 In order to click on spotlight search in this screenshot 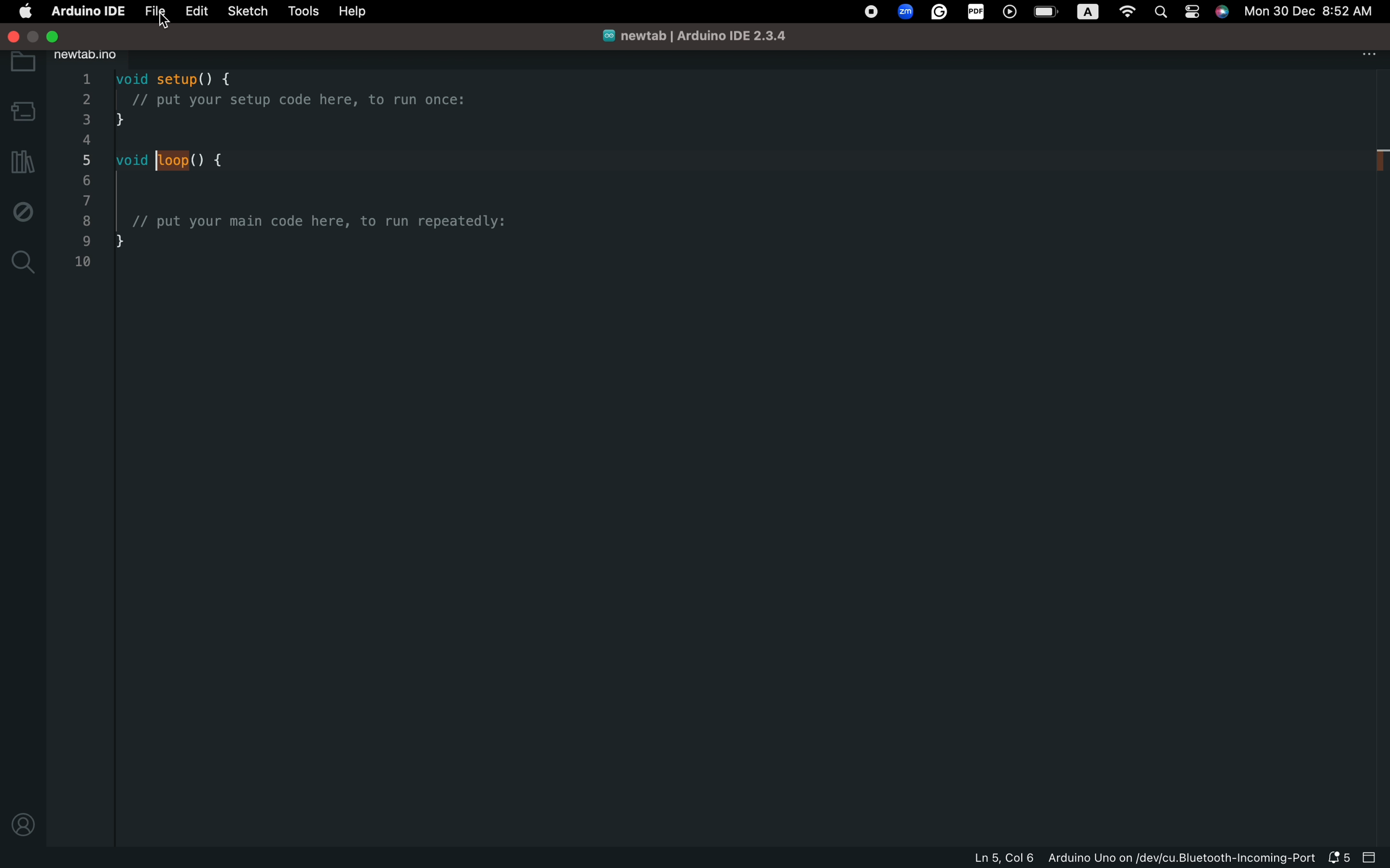, I will do `click(1162, 13)`.